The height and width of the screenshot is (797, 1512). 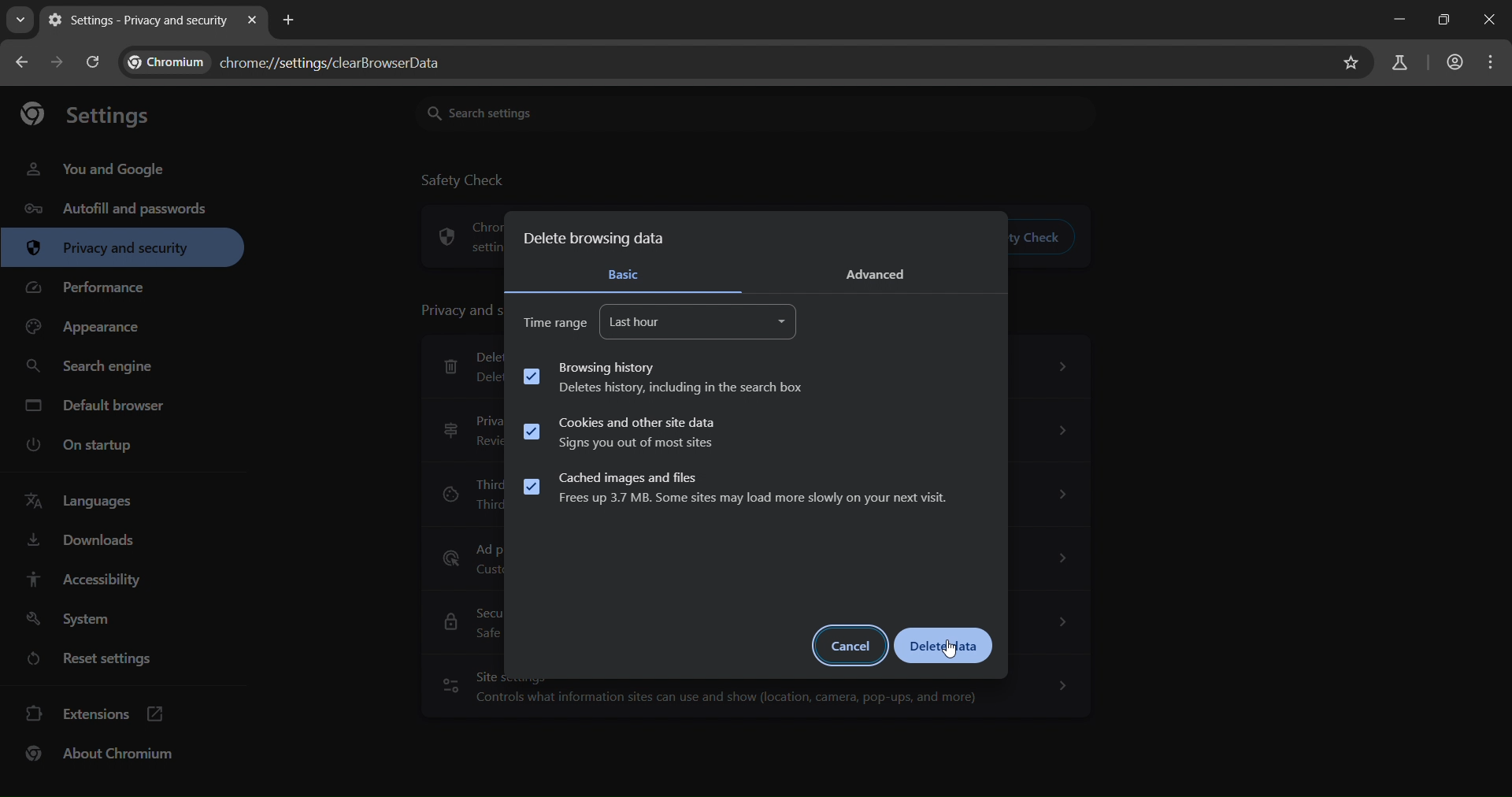 I want to click on cancel, so click(x=851, y=646).